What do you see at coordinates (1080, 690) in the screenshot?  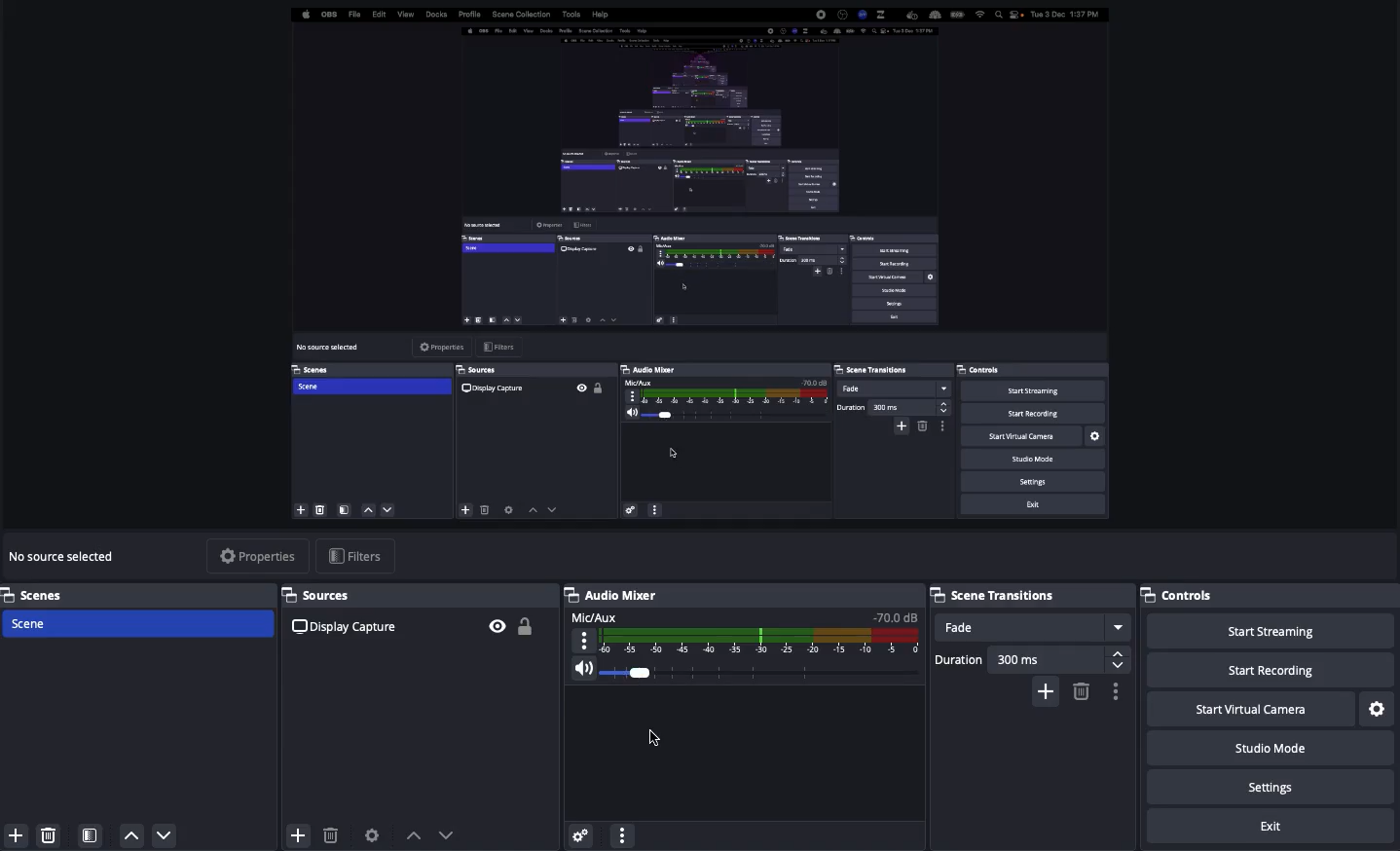 I see `Delete` at bounding box center [1080, 690].